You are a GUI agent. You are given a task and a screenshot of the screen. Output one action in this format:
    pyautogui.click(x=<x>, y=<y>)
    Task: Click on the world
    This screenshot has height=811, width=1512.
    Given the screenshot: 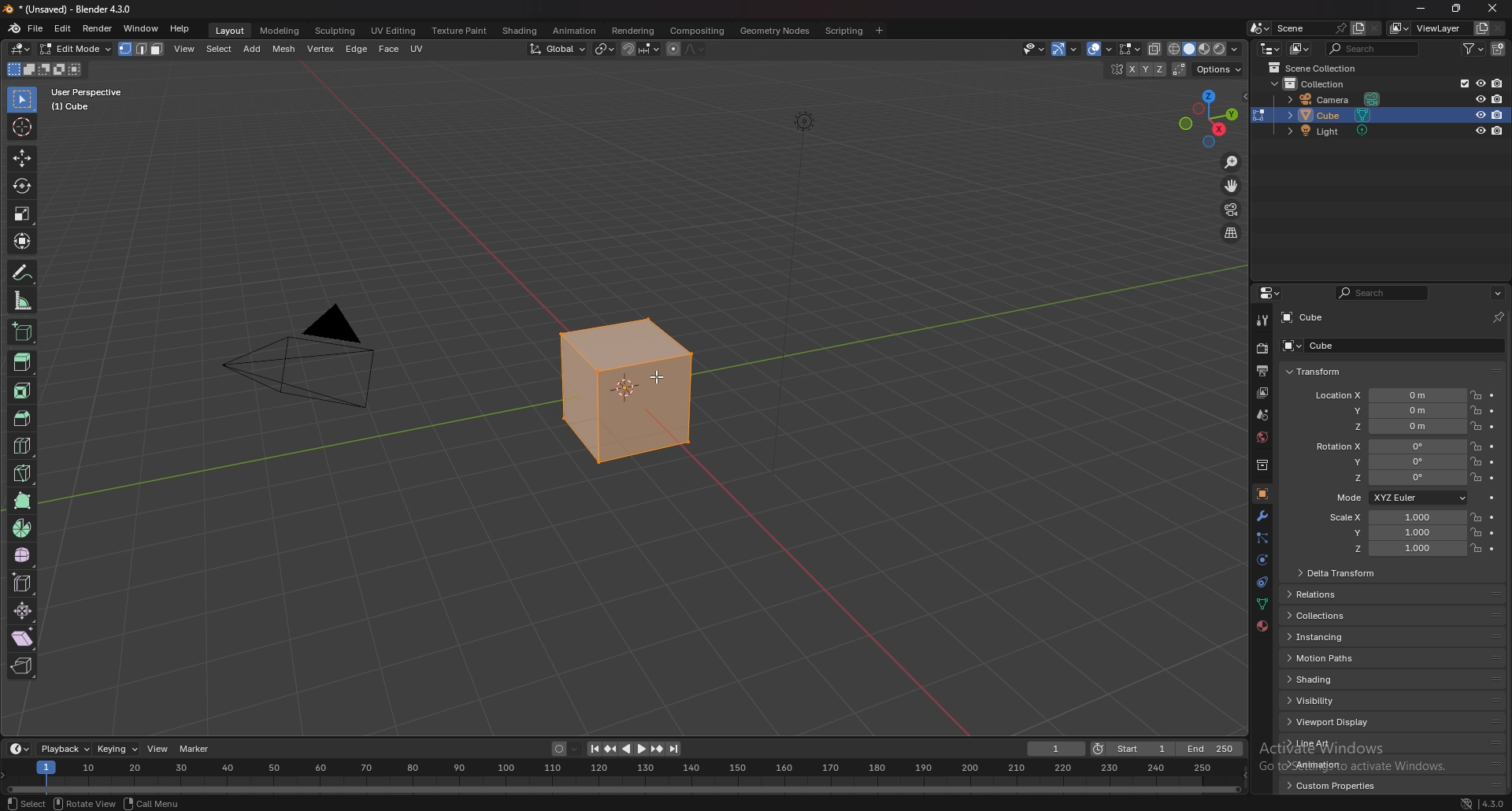 What is the action you would take?
    pyautogui.click(x=1260, y=437)
    